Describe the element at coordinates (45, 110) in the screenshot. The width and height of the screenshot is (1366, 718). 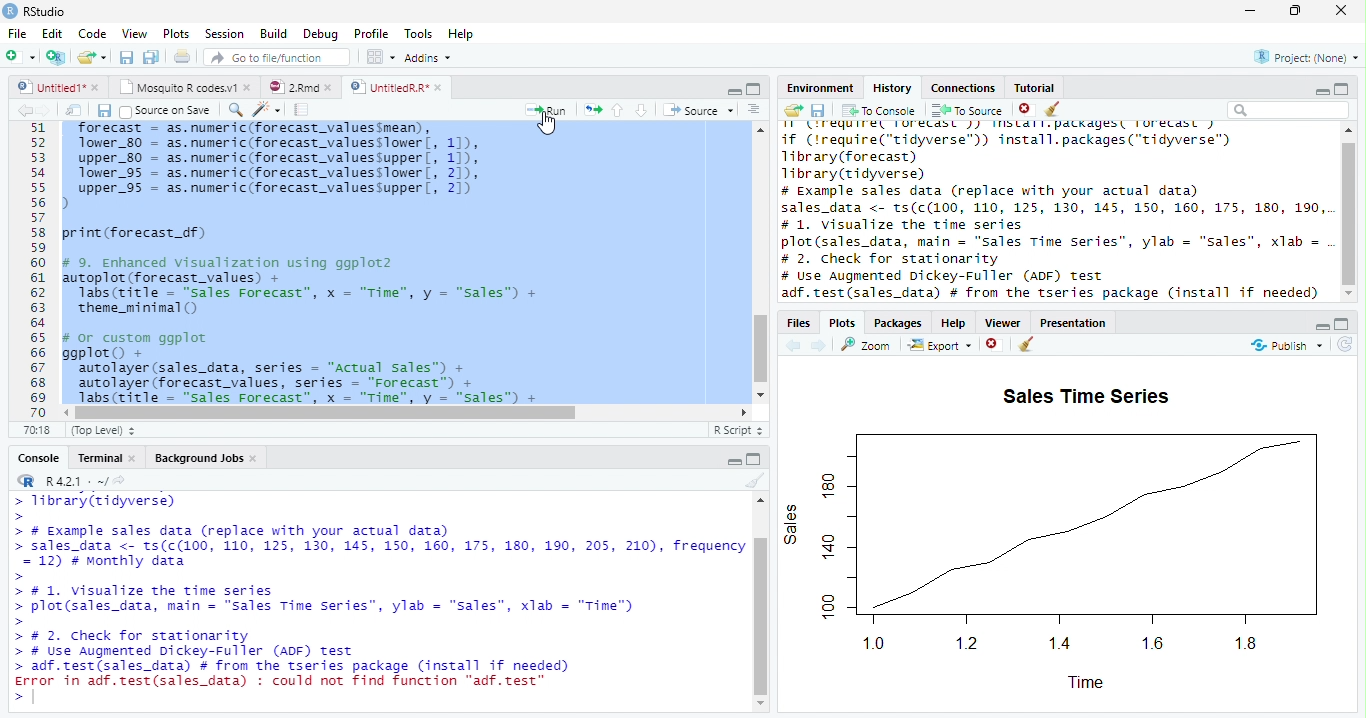
I see `Next` at that location.